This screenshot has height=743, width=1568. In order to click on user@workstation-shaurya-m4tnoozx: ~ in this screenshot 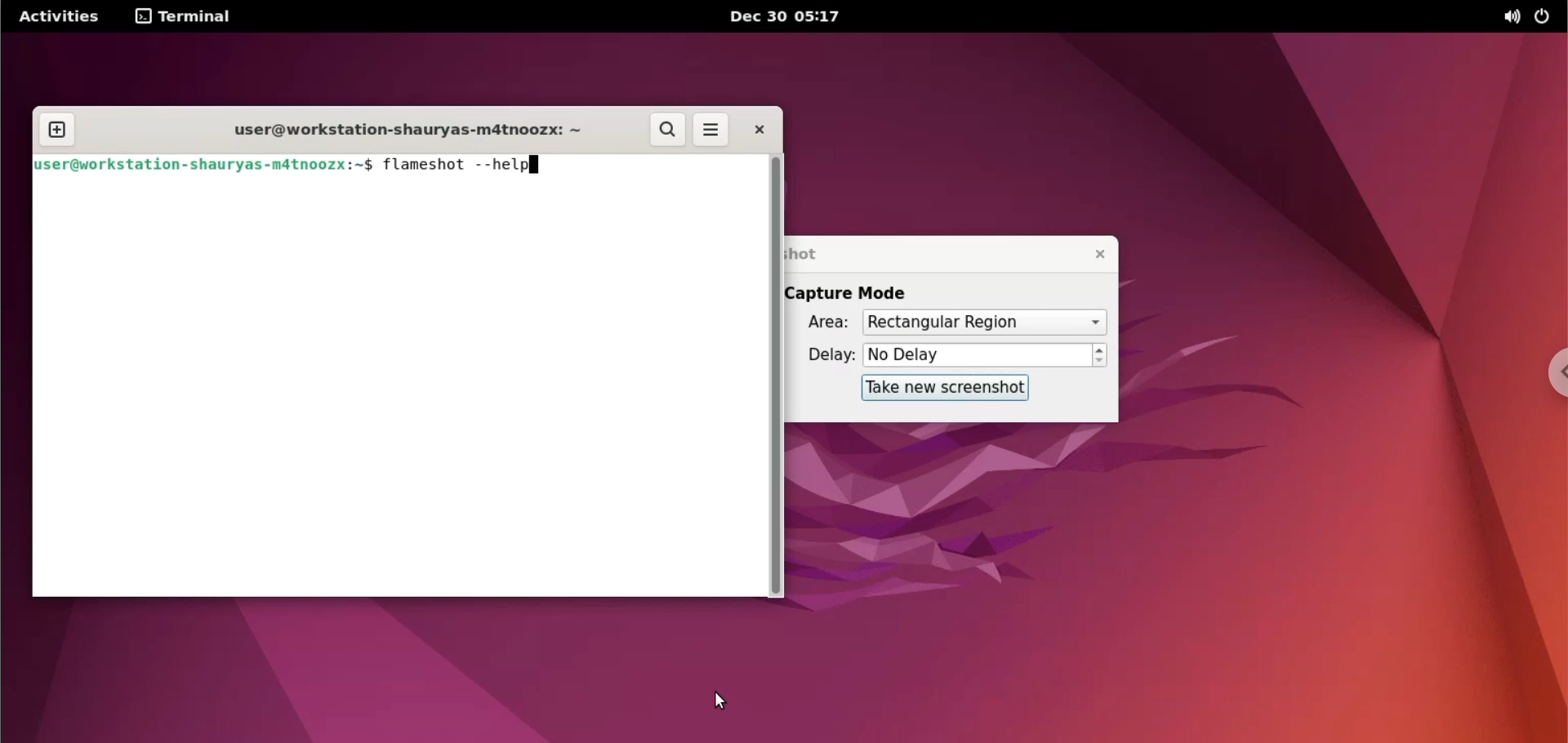, I will do `click(413, 130)`.